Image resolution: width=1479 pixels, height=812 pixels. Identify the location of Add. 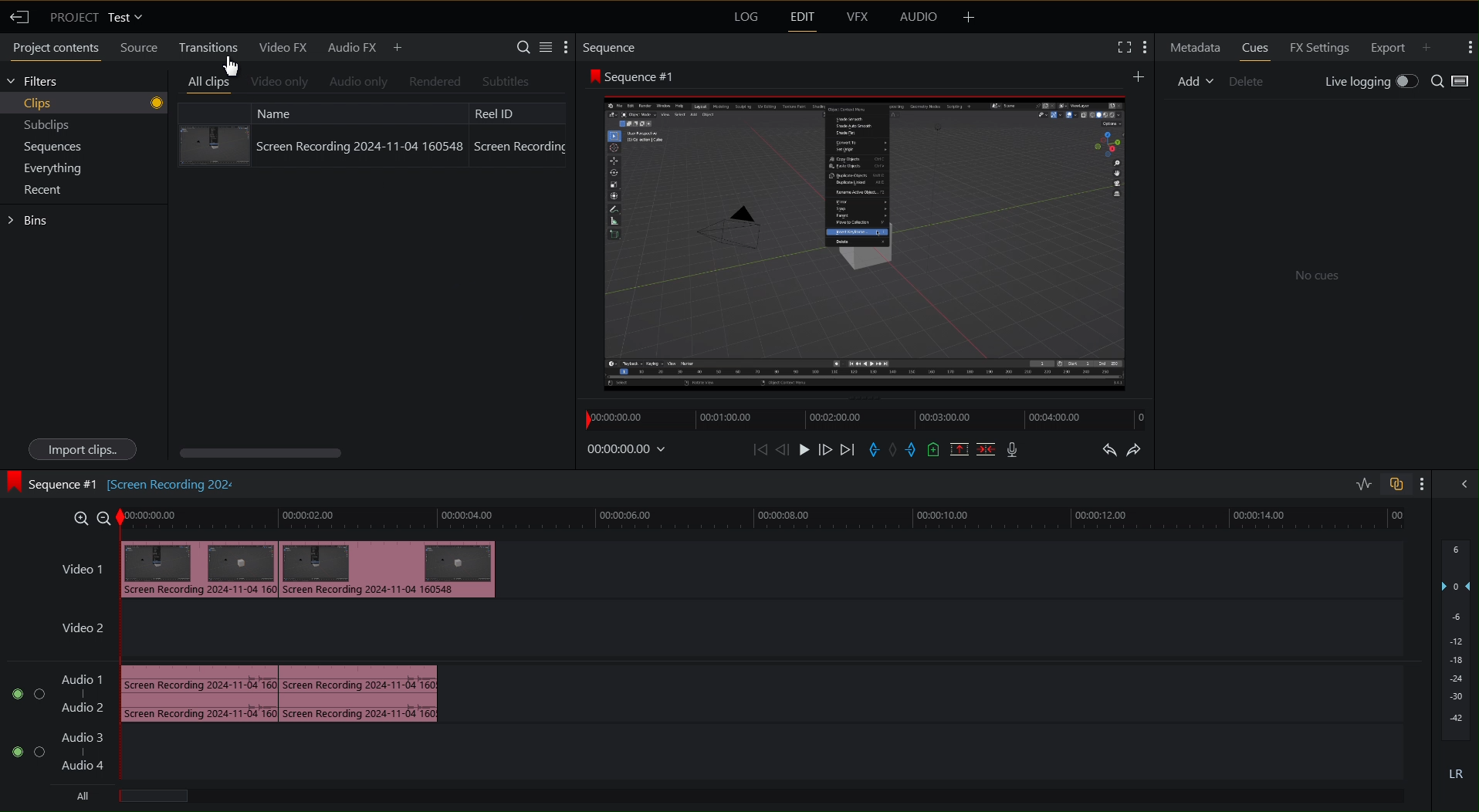
(1433, 46).